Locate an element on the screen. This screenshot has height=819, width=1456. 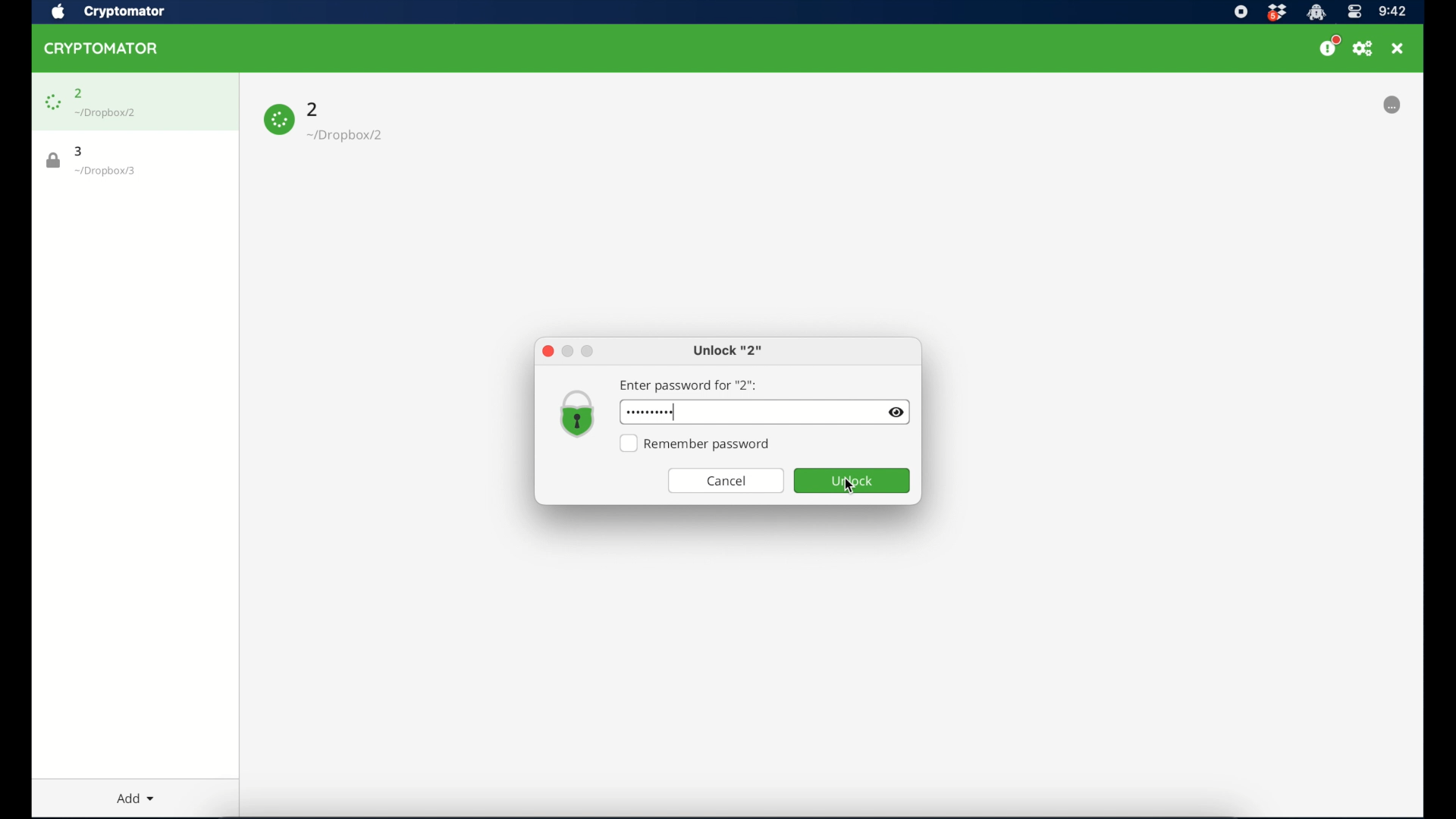
2 is located at coordinates (313, 108).